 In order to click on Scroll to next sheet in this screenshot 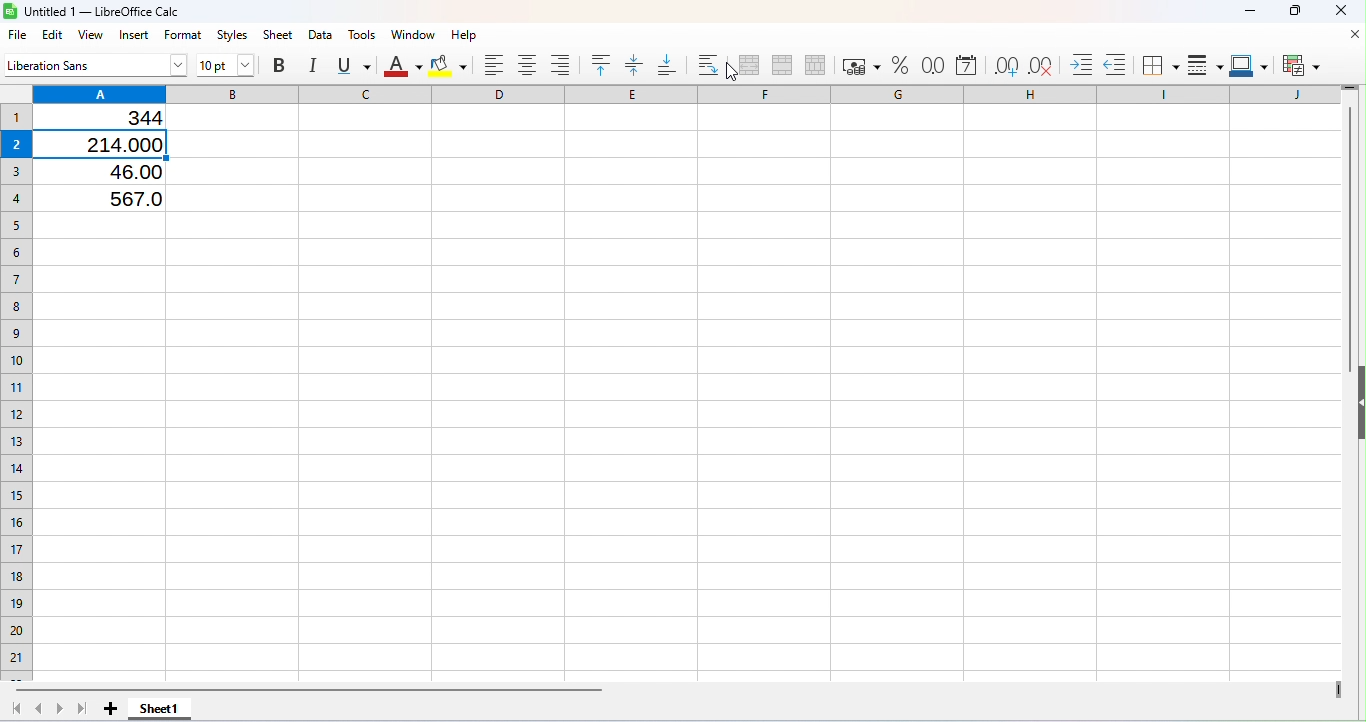, I will do `click(61, 708)`.